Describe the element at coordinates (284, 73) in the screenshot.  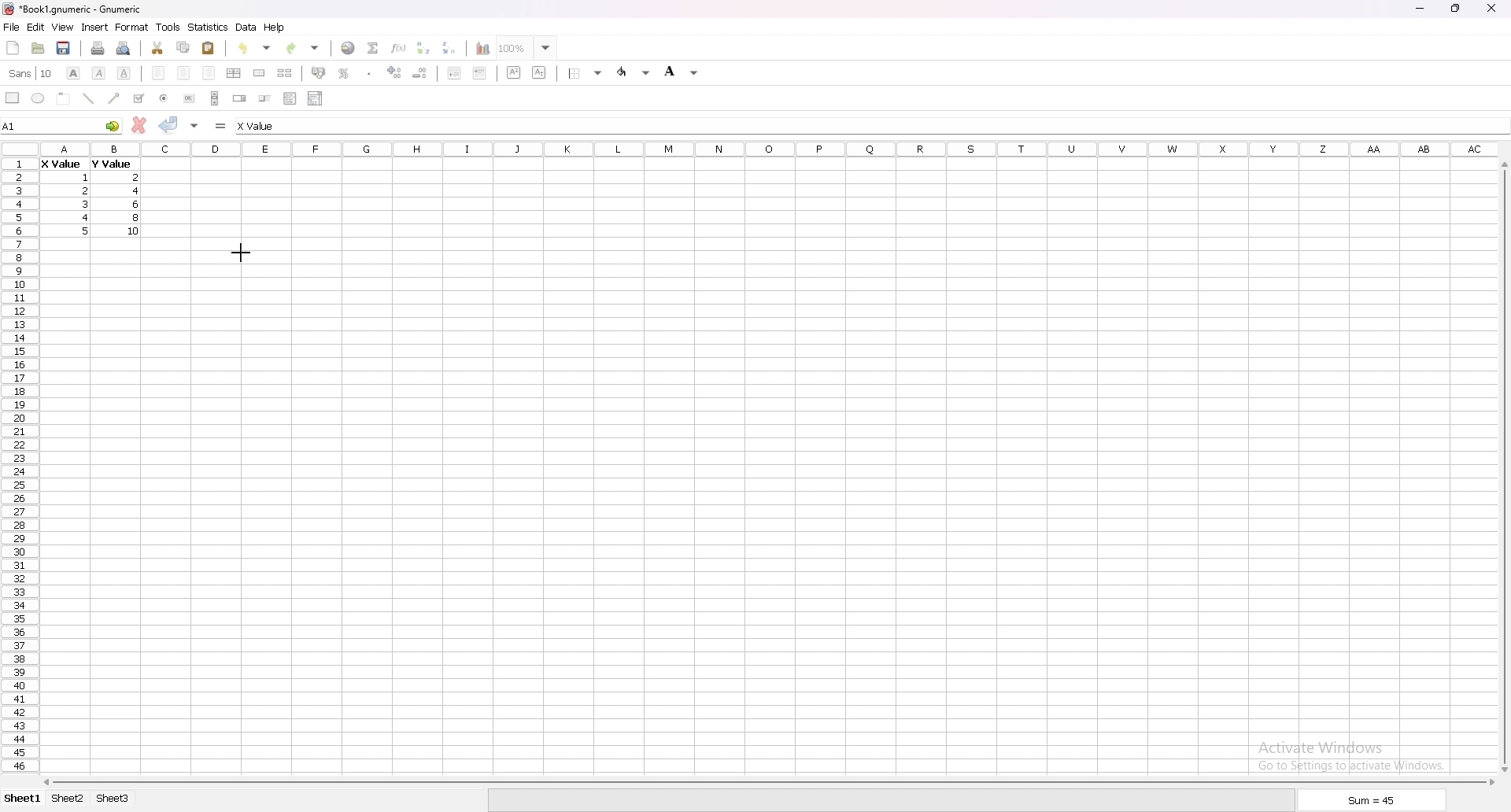
I see `split merged cells` at that location.